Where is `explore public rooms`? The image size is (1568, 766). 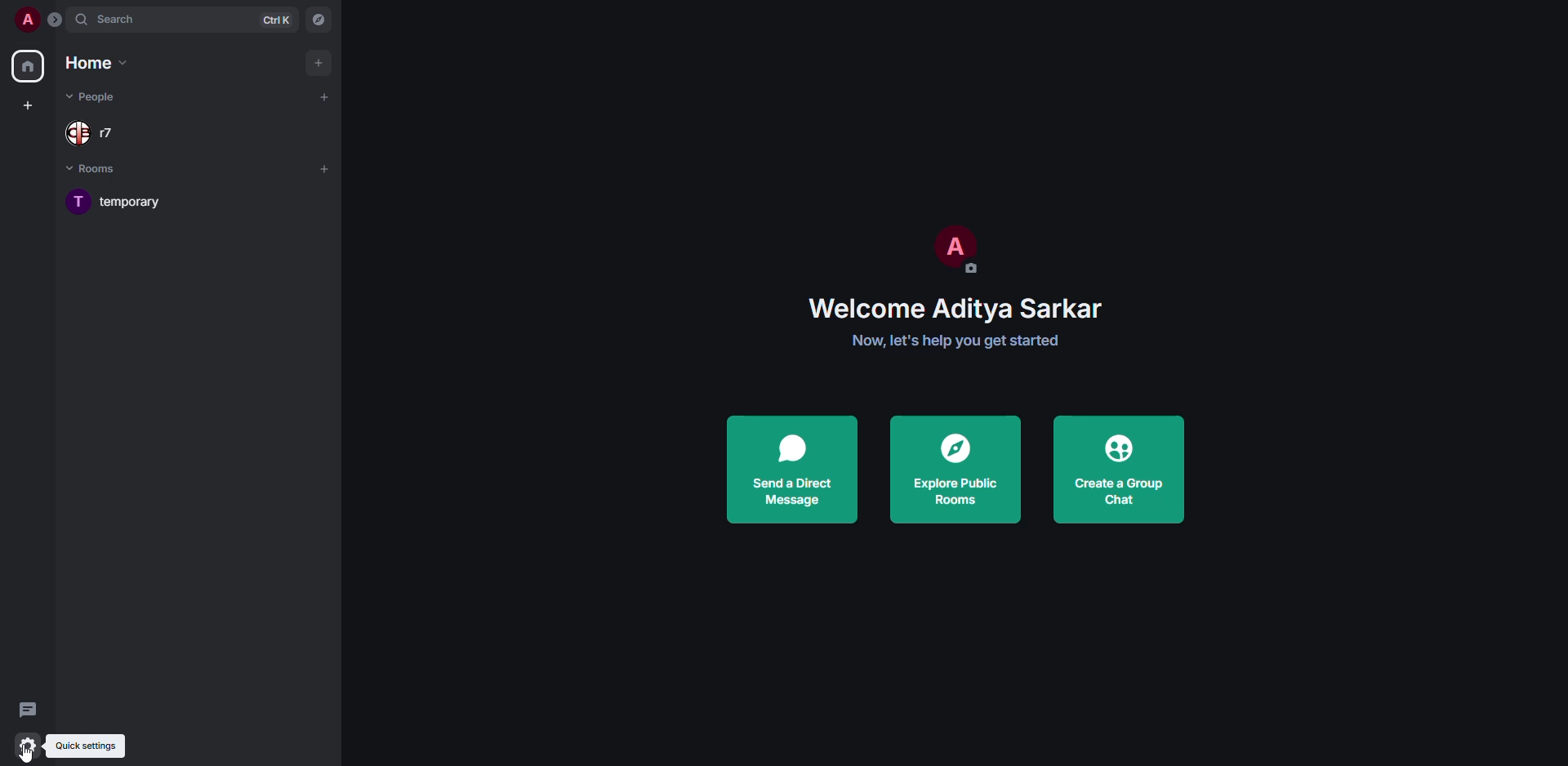
explore public rooms is located at coordinates (956, 470).